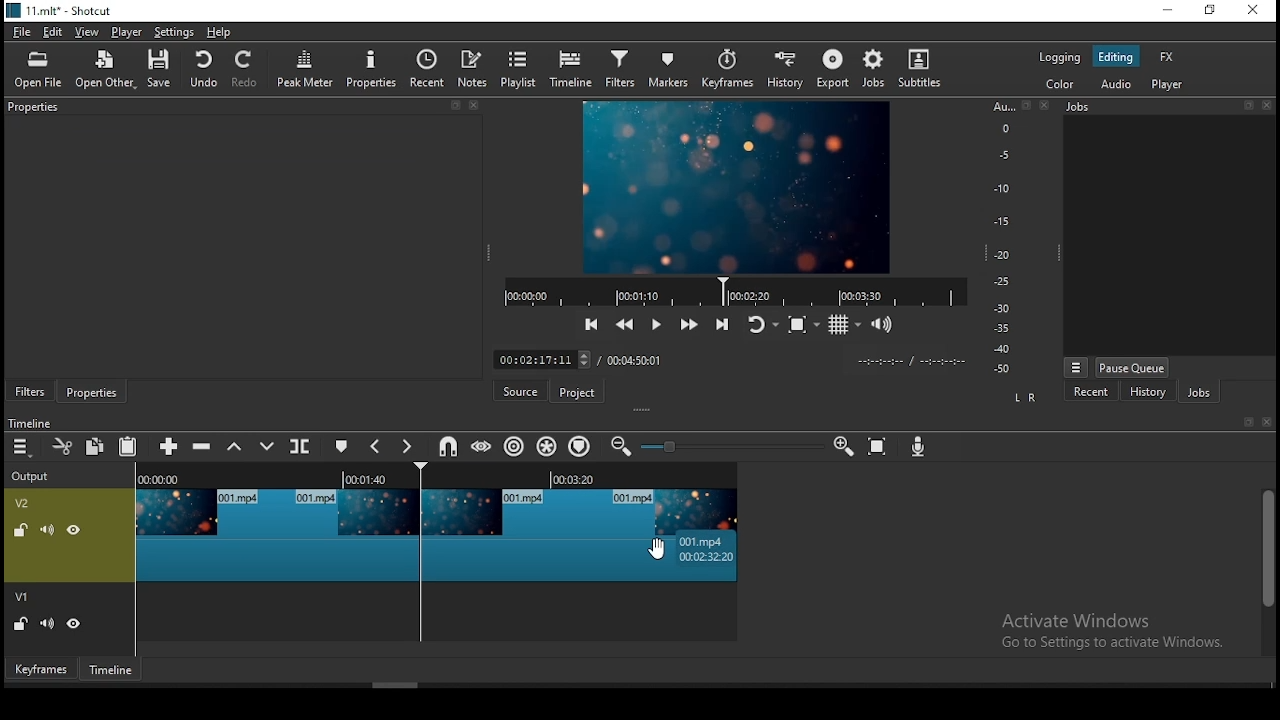 This screenshot has height=720, width=1280. What do you see at coordinates (515, 446) in the screenshot?
I see `ripple` at bounding box center [515, 446].